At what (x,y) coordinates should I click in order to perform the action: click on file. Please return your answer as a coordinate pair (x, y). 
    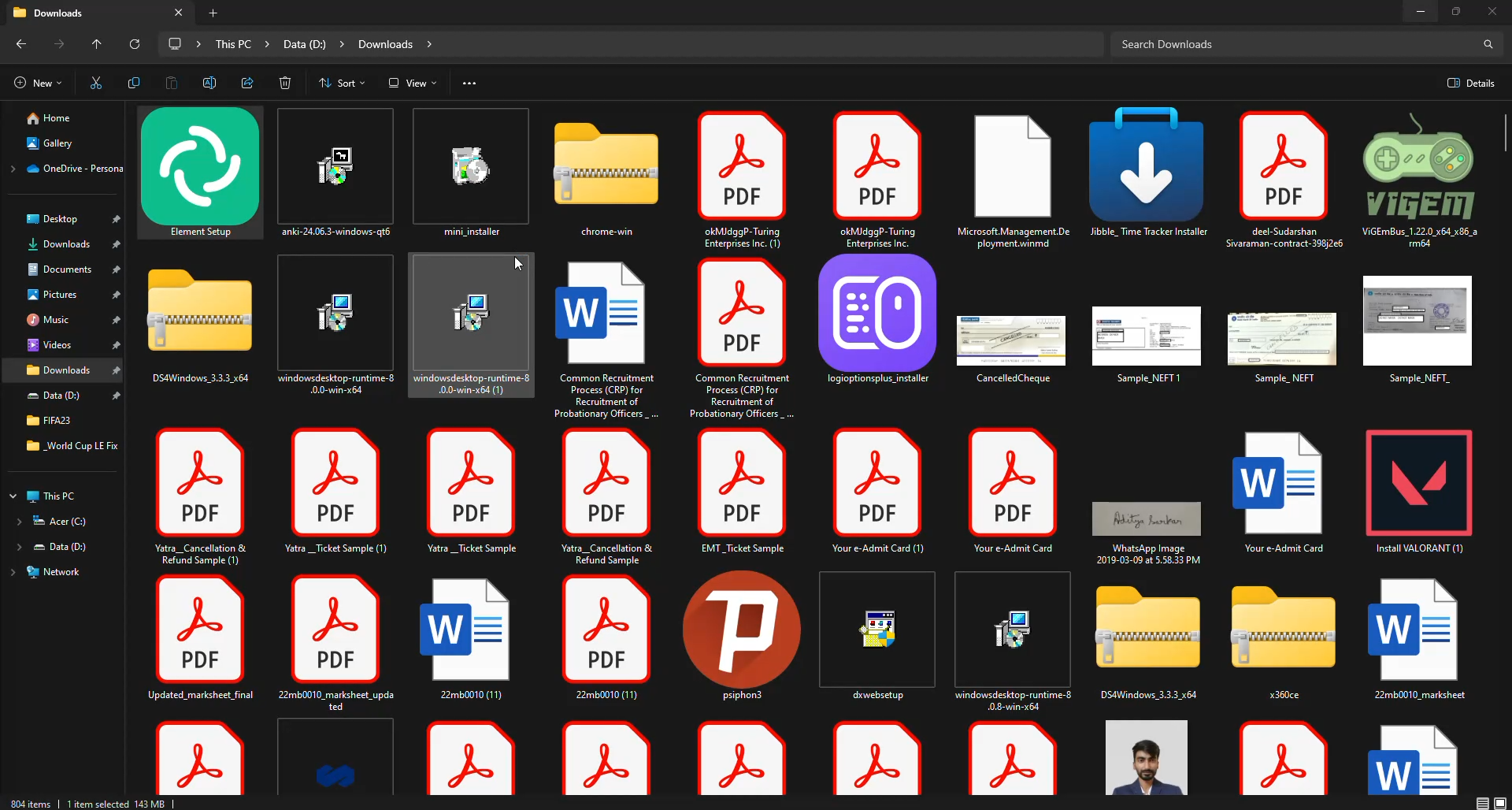
    Looking at the image, I should click on (1013, 493).